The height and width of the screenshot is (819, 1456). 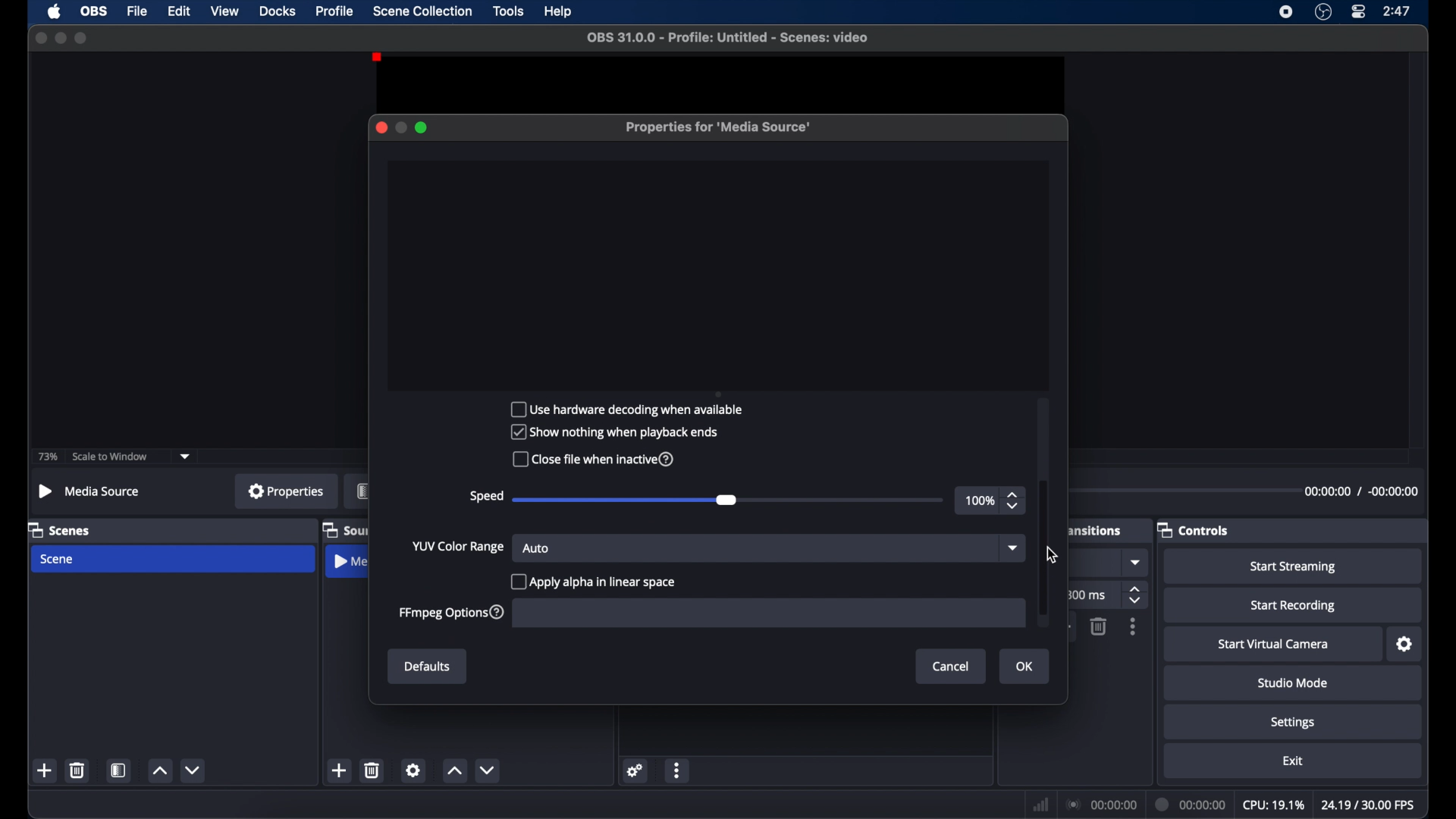 What do you see at coordinates (486, 497) in the screenshot?
I see `speed` at bounding box center [486, 497].